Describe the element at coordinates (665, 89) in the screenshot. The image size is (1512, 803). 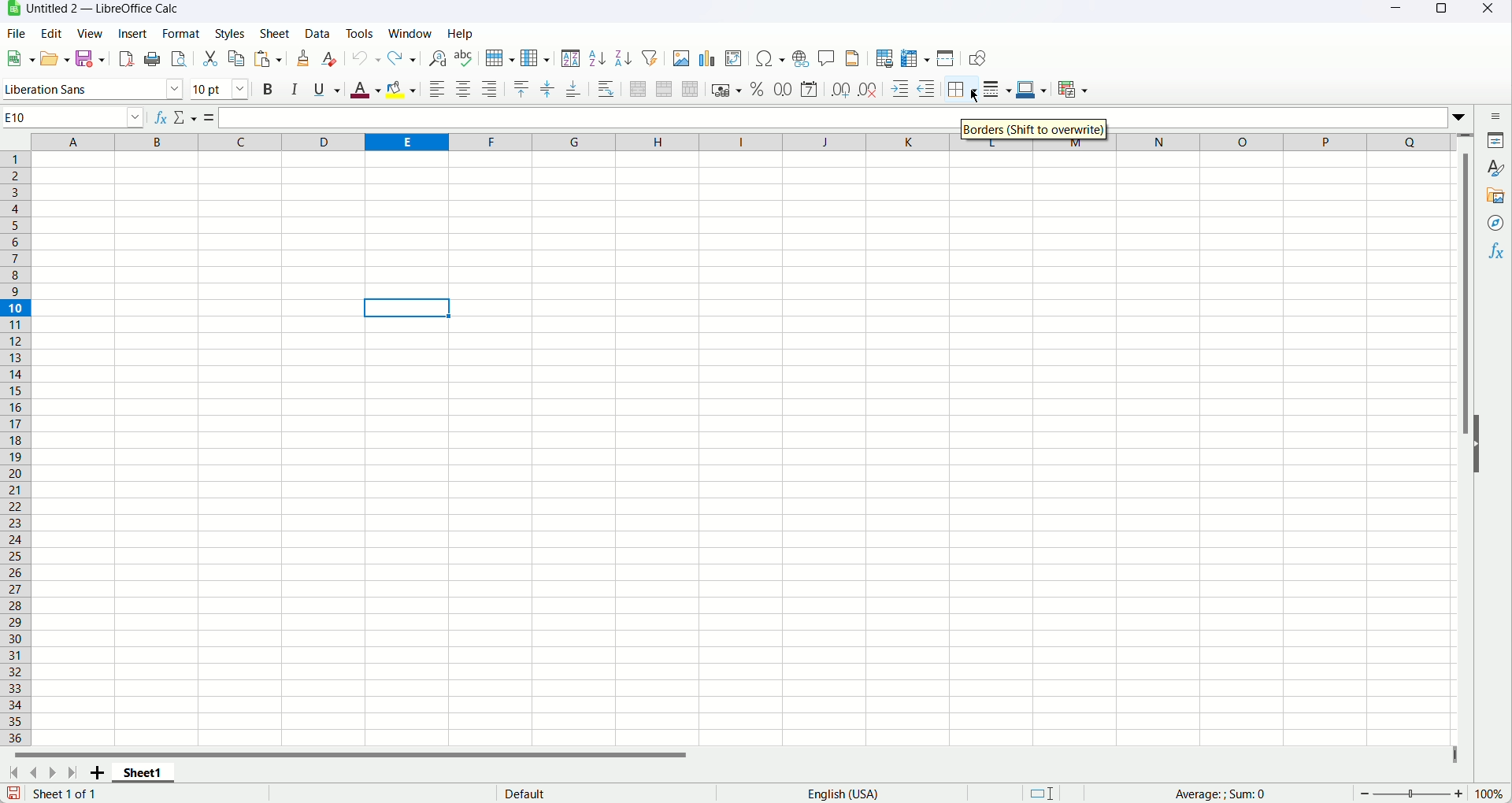
I see `Merge cells` at that location.